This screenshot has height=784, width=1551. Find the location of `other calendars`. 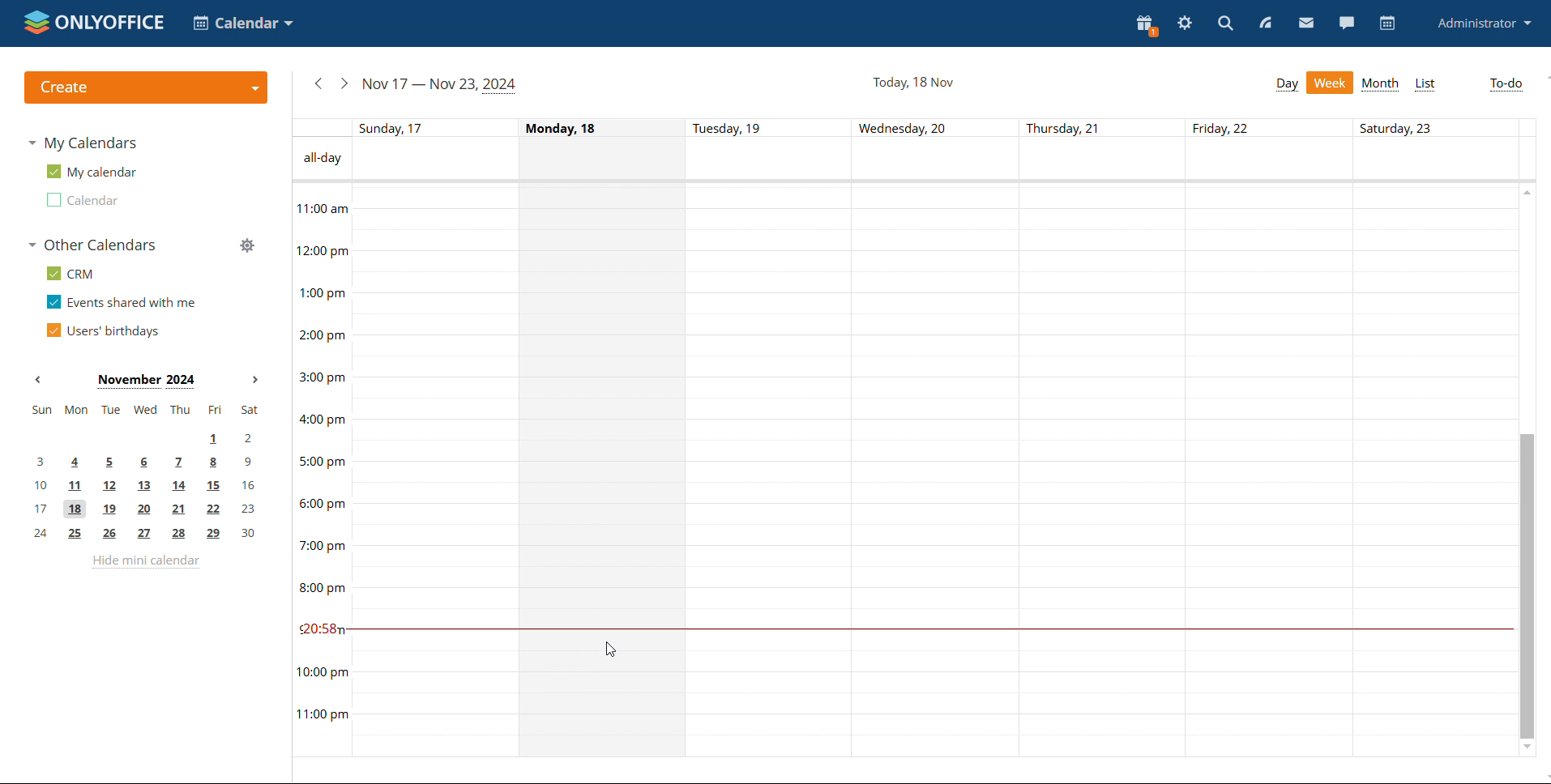

other calendars is located at coordinates (92, 245).